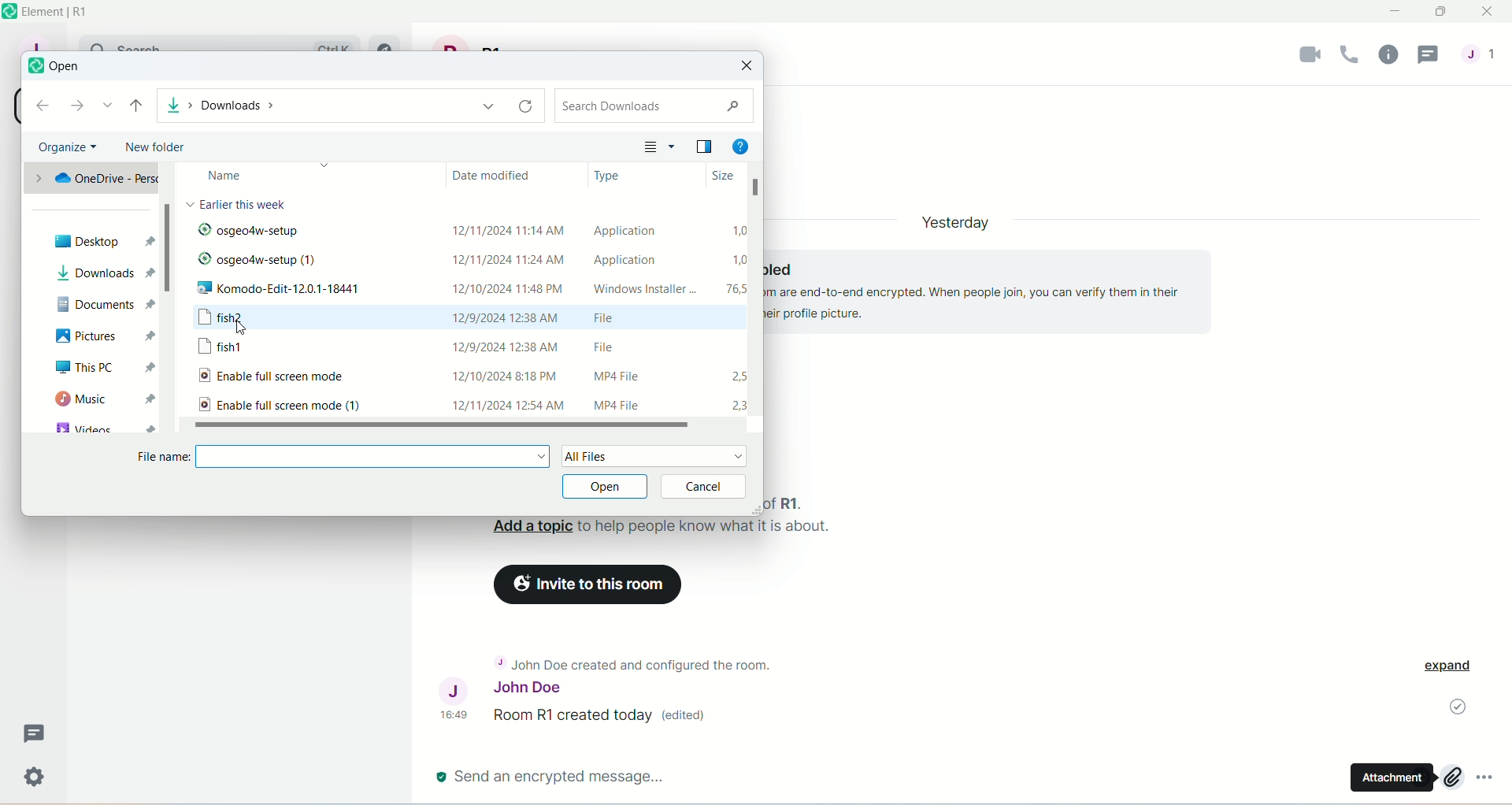  I want to click on video call, so click(1303, 57).